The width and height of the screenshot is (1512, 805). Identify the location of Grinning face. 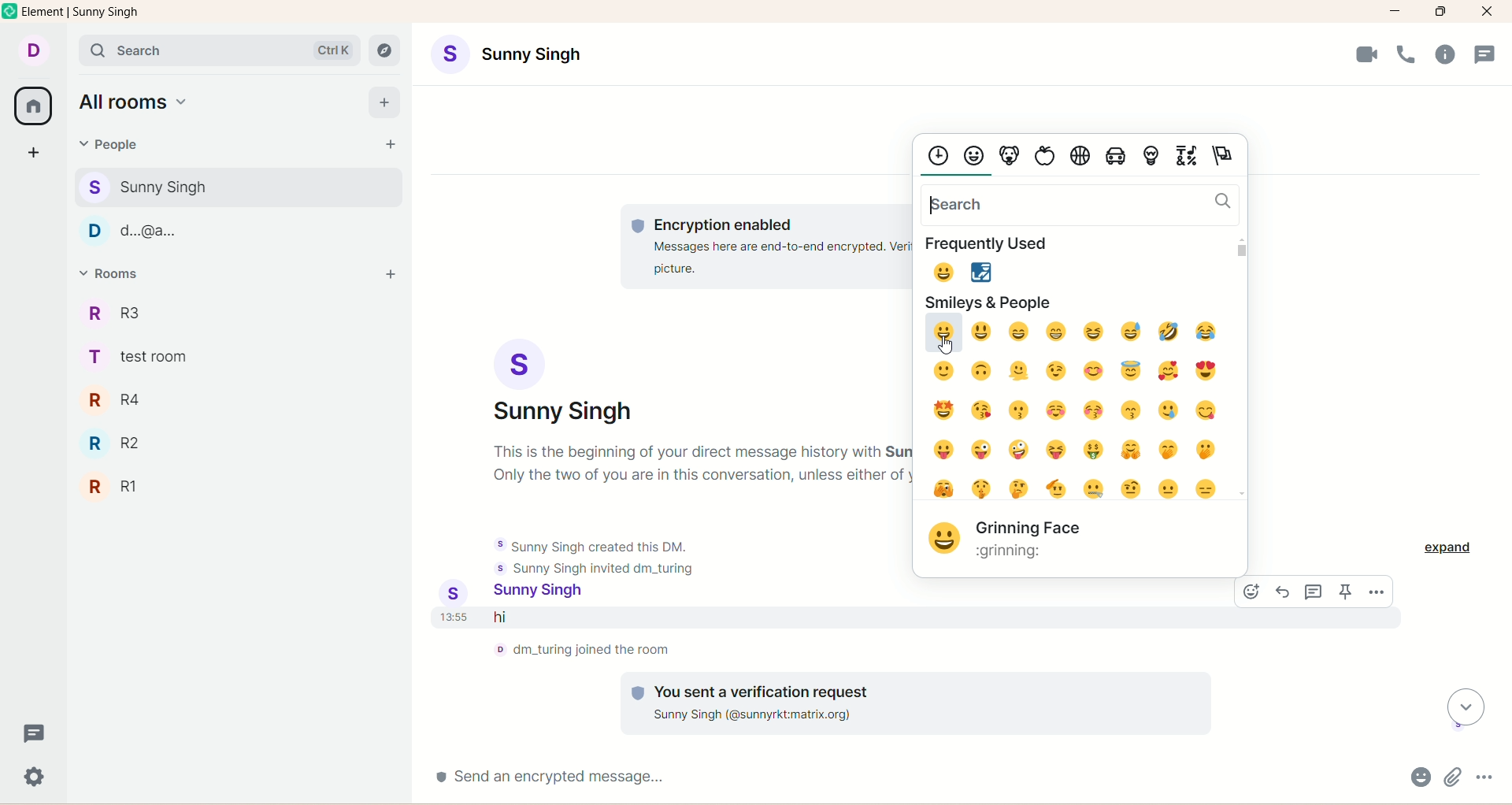
(943, 334).